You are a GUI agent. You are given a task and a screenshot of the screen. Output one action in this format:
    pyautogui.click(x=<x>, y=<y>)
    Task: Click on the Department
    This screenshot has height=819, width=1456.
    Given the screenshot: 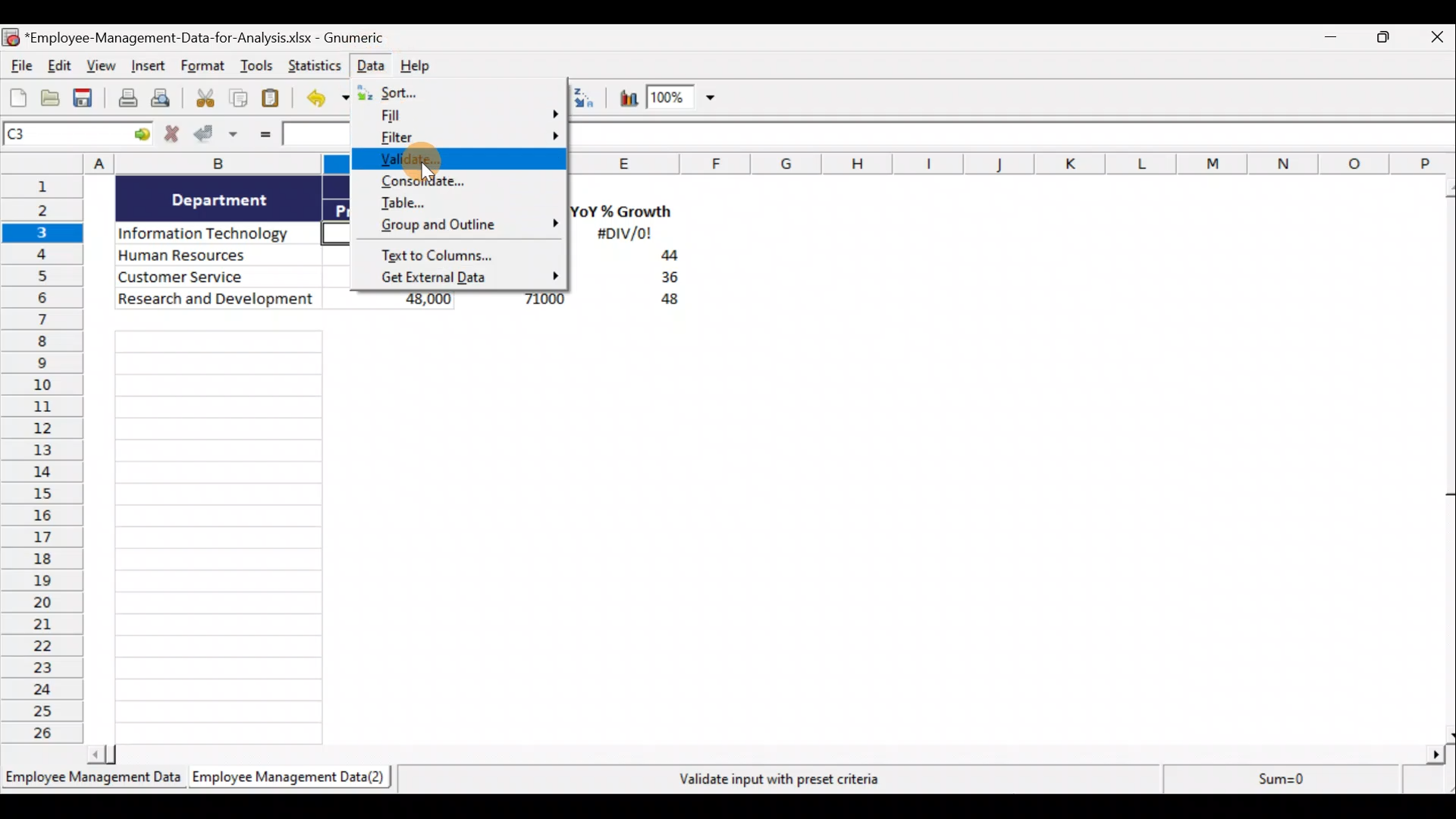 What is the action you would take?
    pyautogui.click(x=220, y=199)
    